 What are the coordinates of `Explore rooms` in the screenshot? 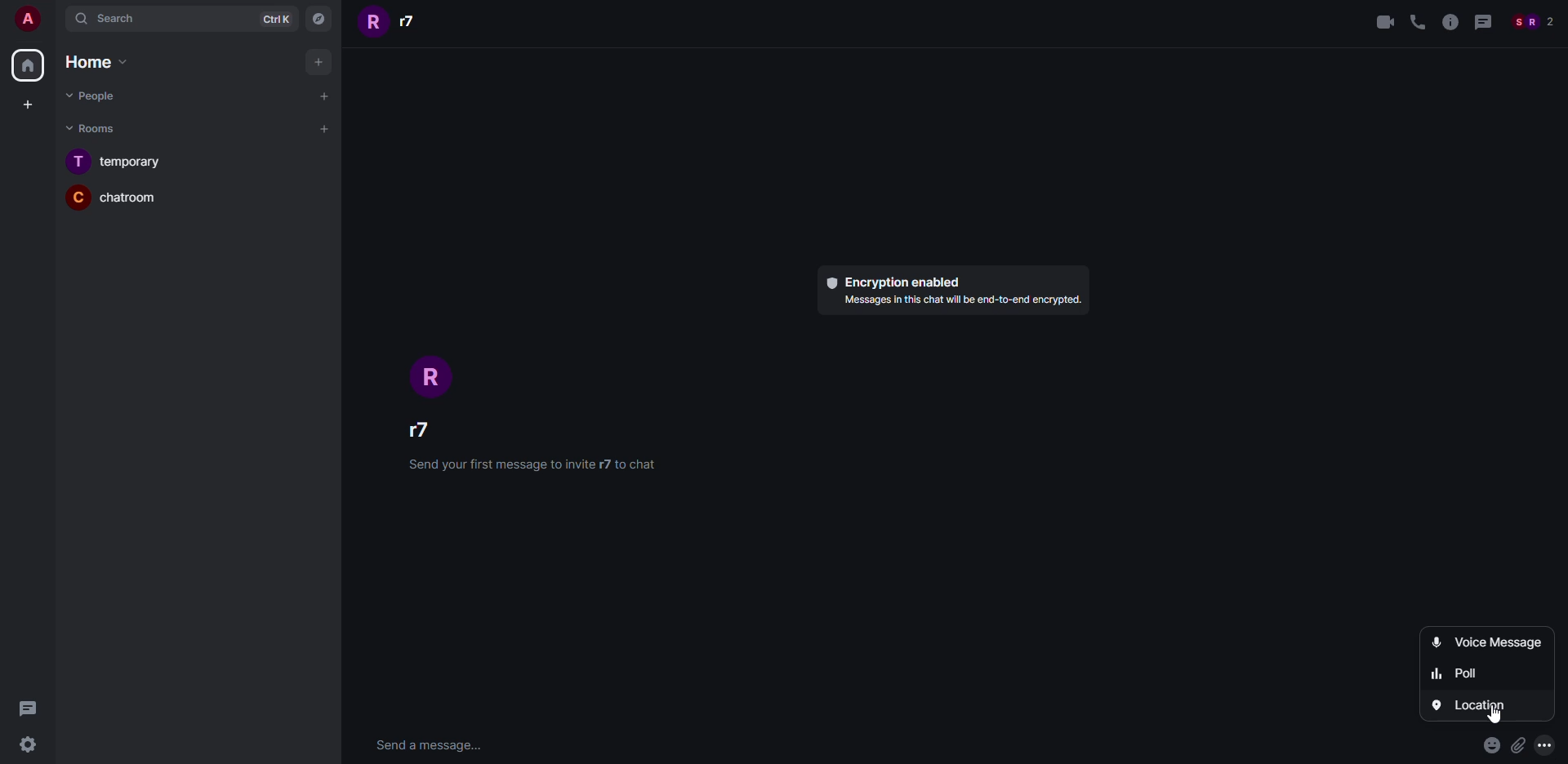 It's located at (321, 20).